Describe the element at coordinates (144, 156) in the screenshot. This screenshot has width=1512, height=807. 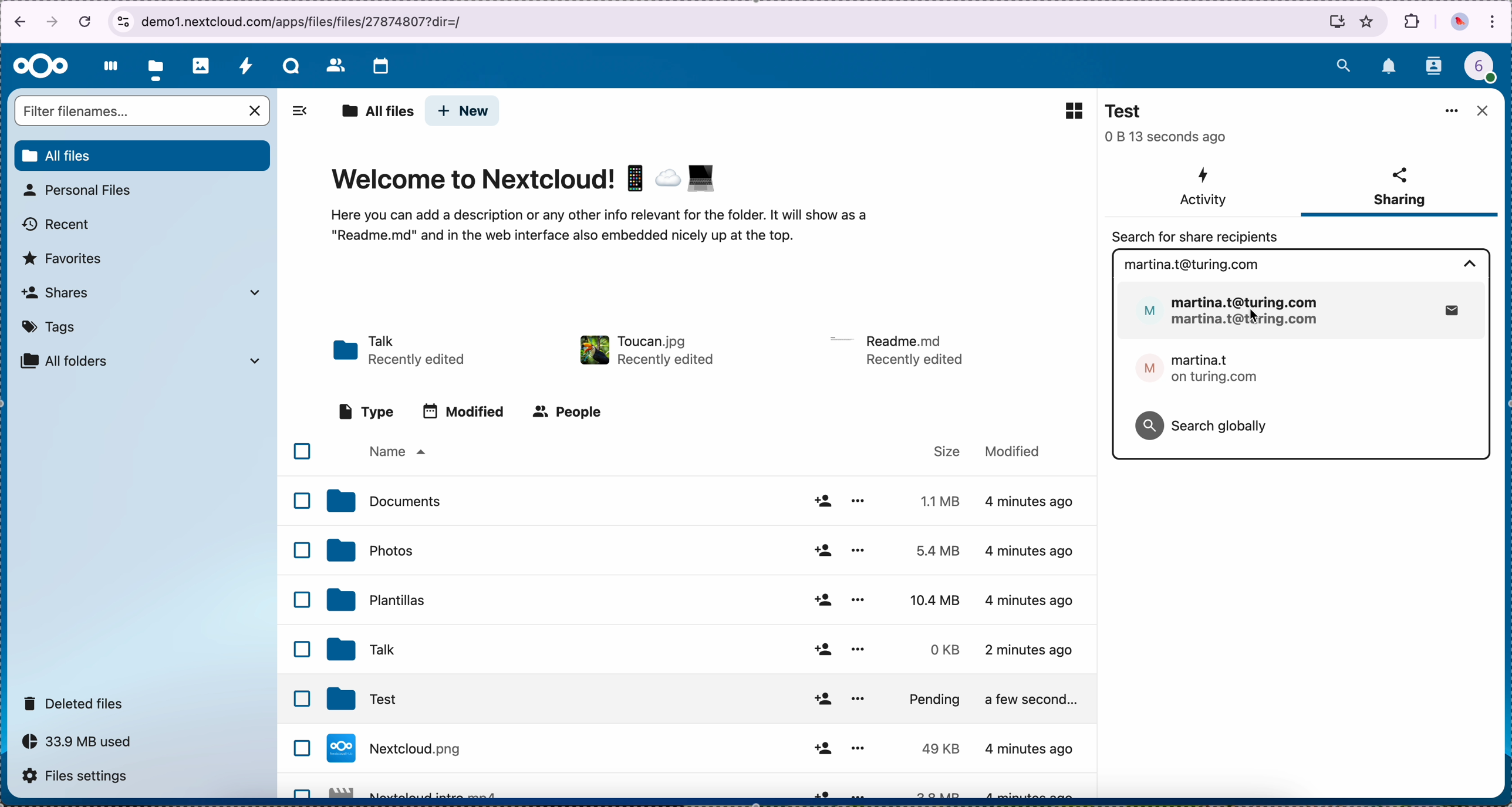
I see `all files button` at that location.